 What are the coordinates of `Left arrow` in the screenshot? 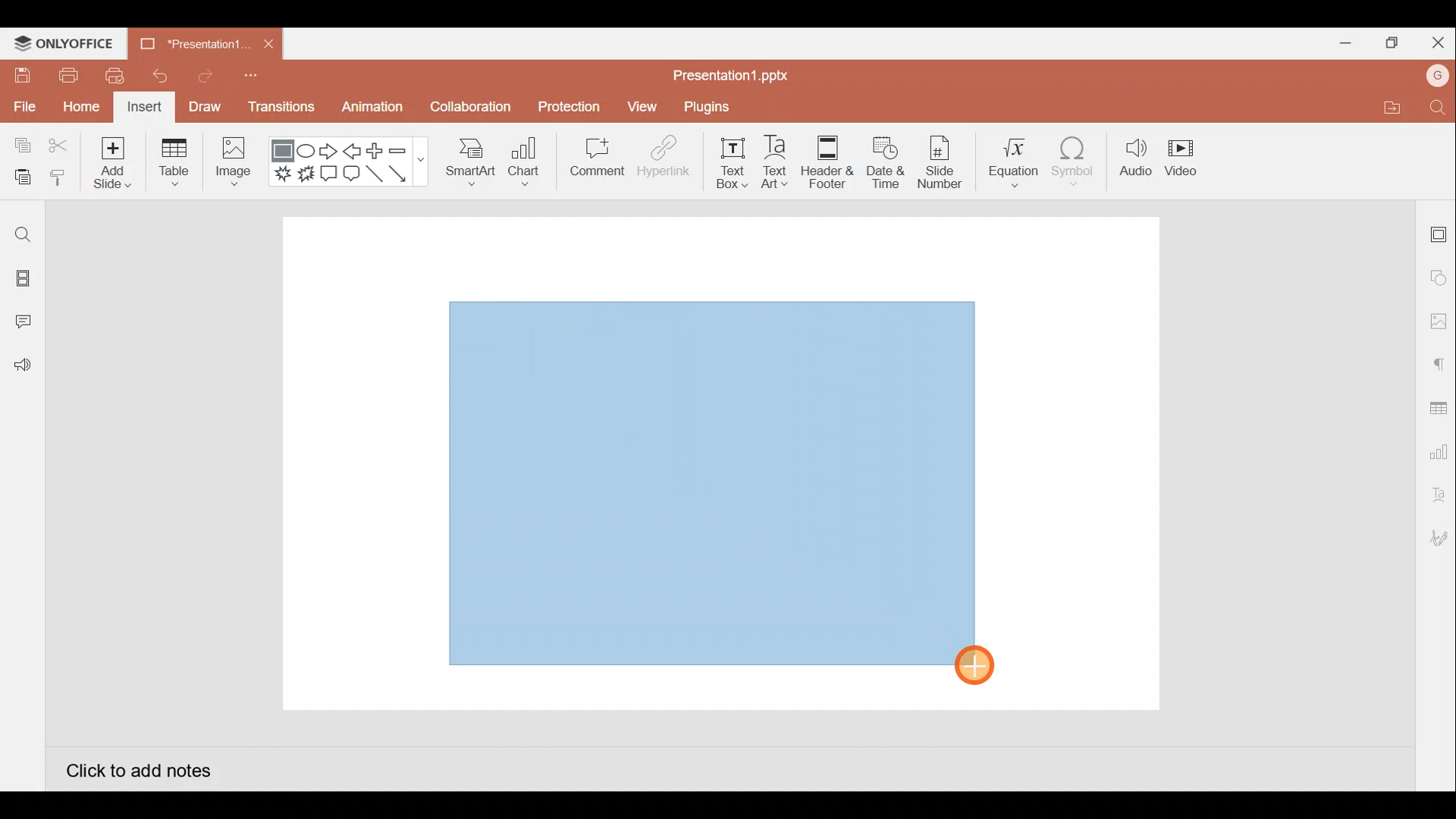 It's located at (353, 151).